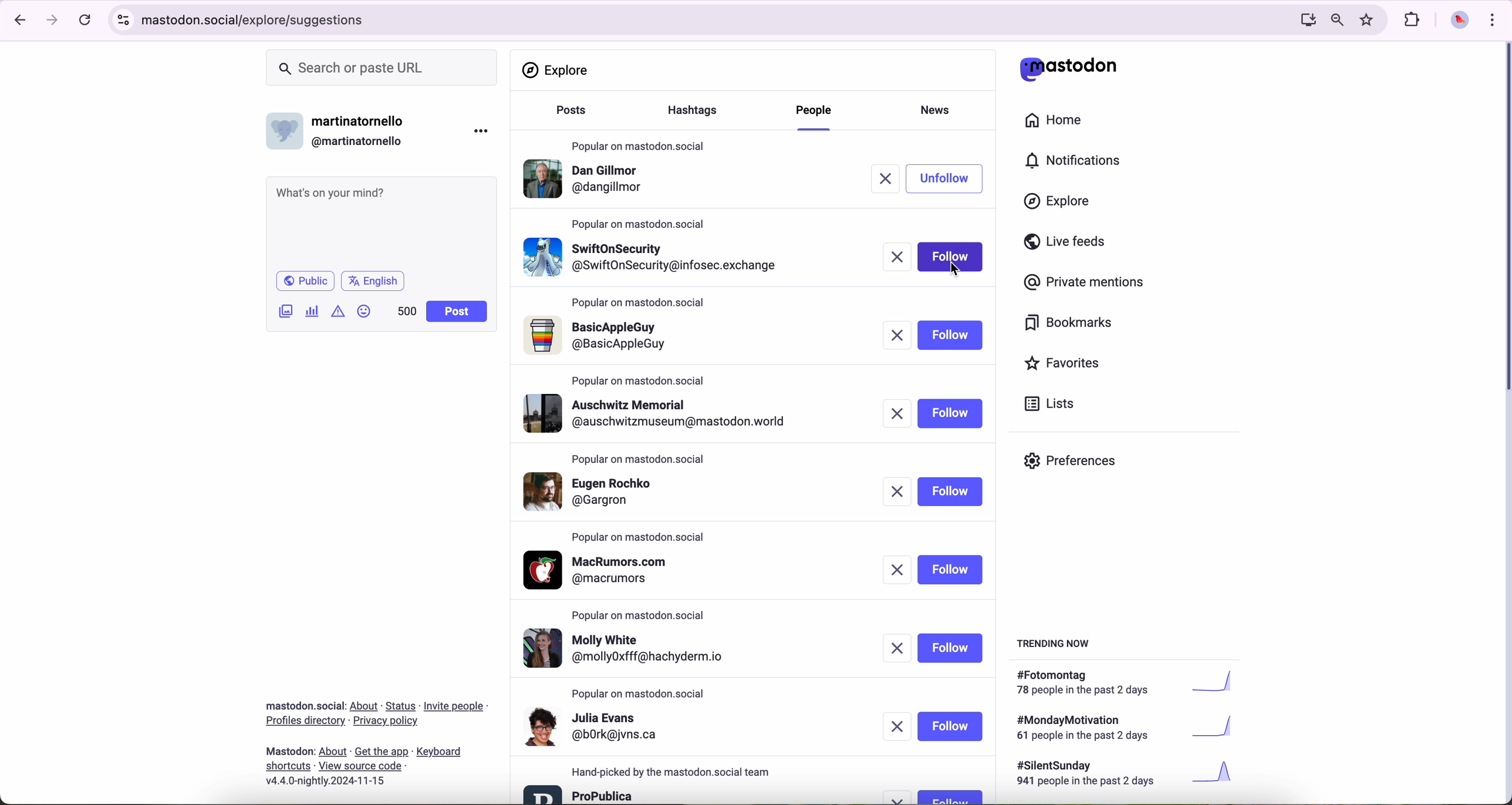 The width and height of the screenshot is (1512, 805). I want to click on private mentions, so click(1085, 283).